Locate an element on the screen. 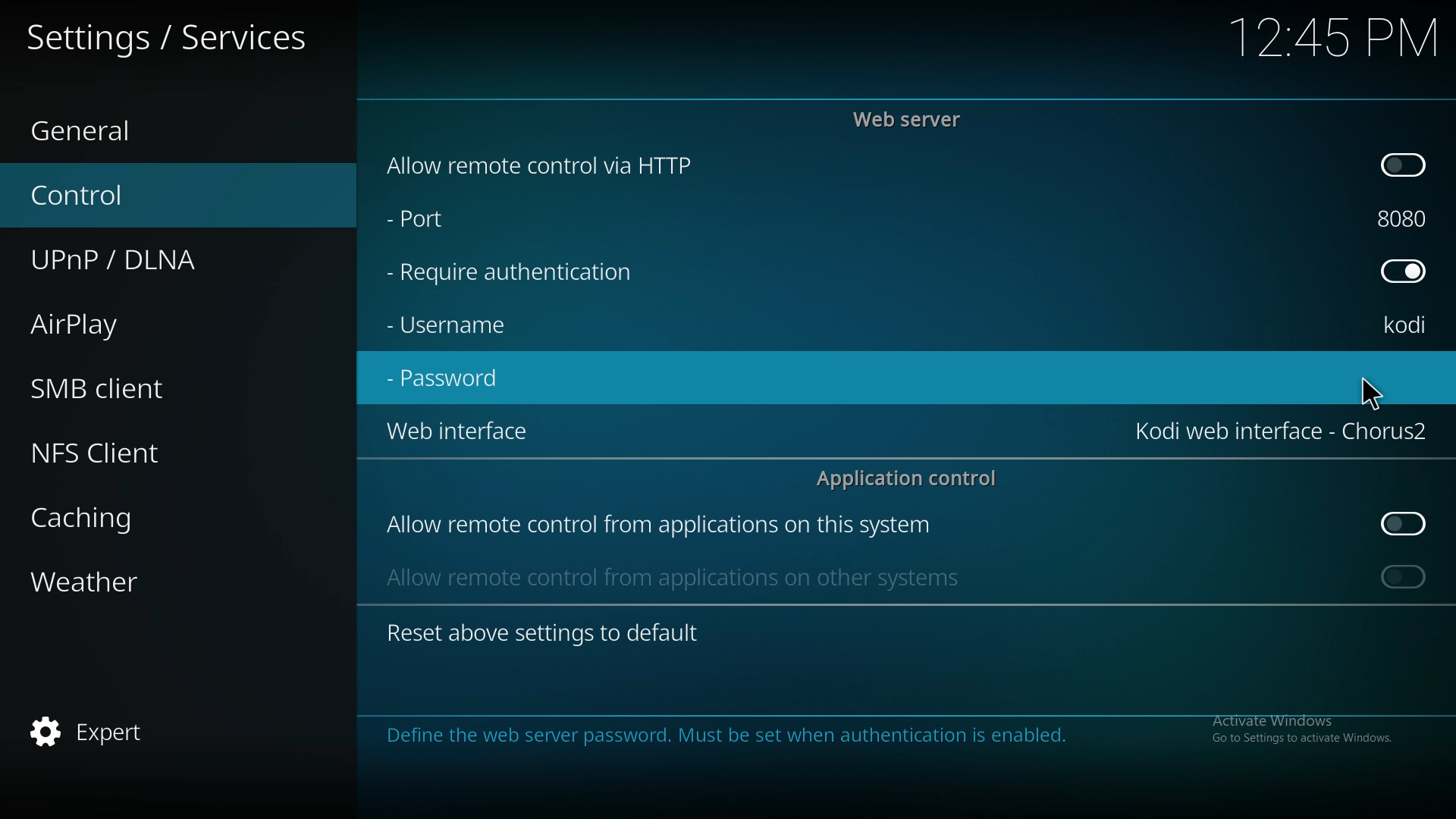 Image resolution: width=1456 pixels, height=819 pixels. expert is located at coordinates (127, 733).